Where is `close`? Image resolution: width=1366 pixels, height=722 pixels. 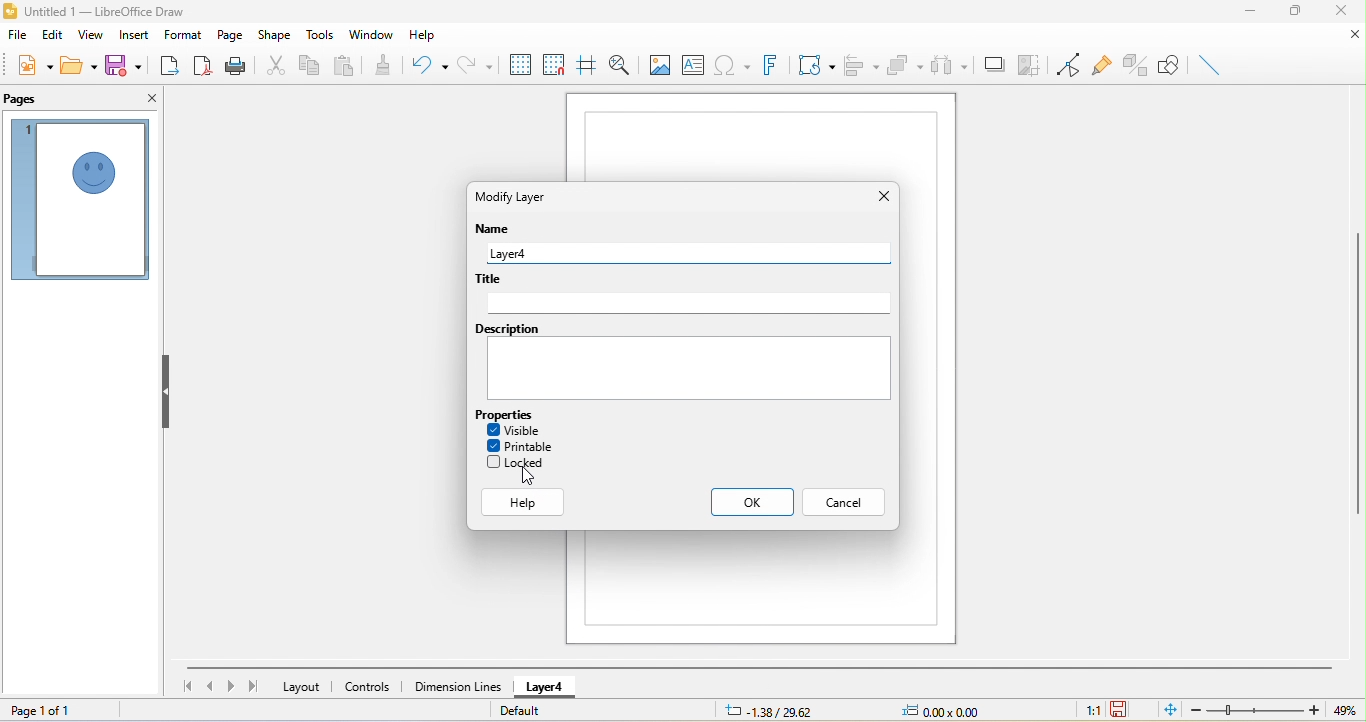
close is located at coordinates (880, 194).